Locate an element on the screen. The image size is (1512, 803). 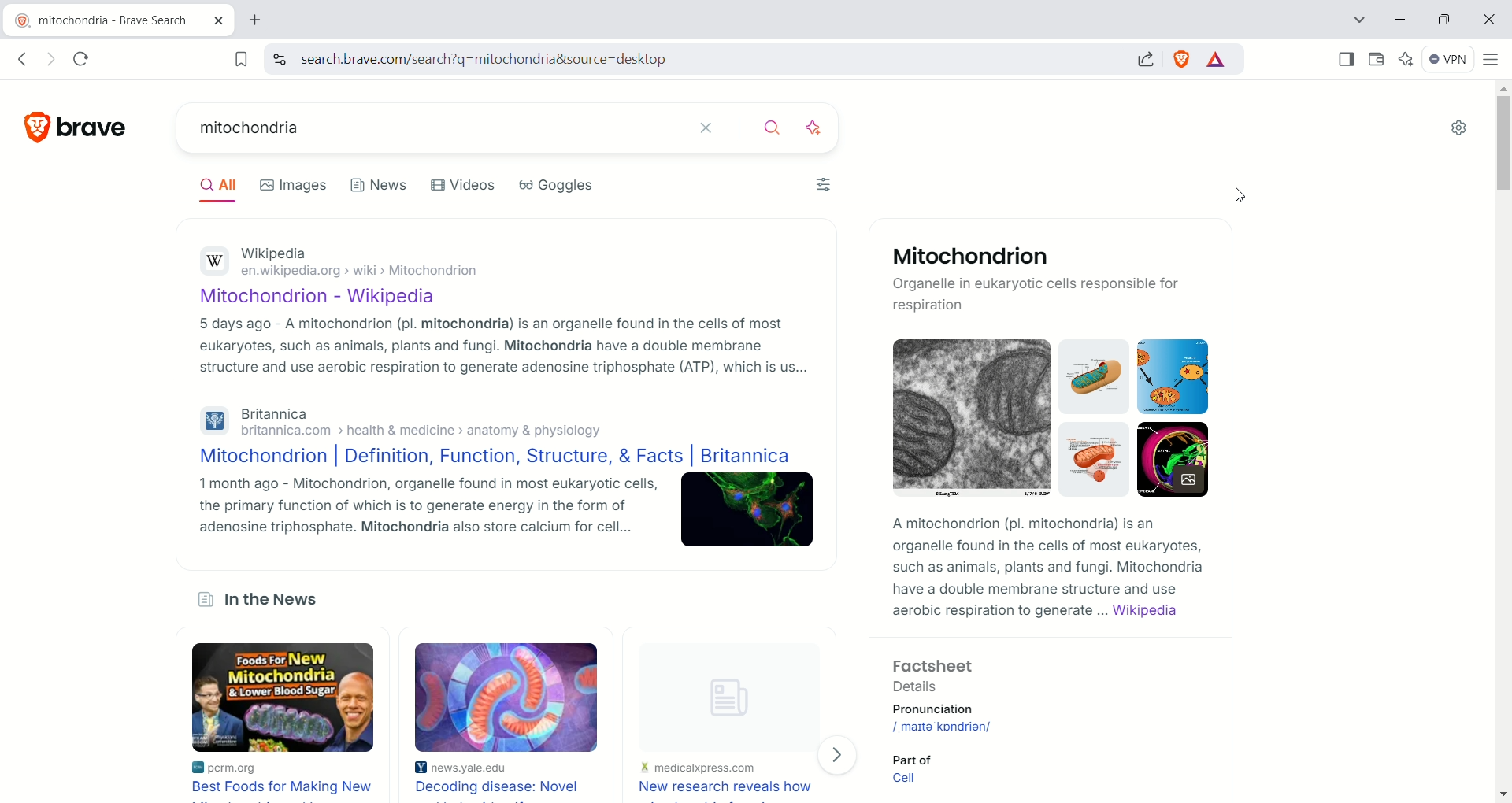
close is located at coordinates (1490, 18).